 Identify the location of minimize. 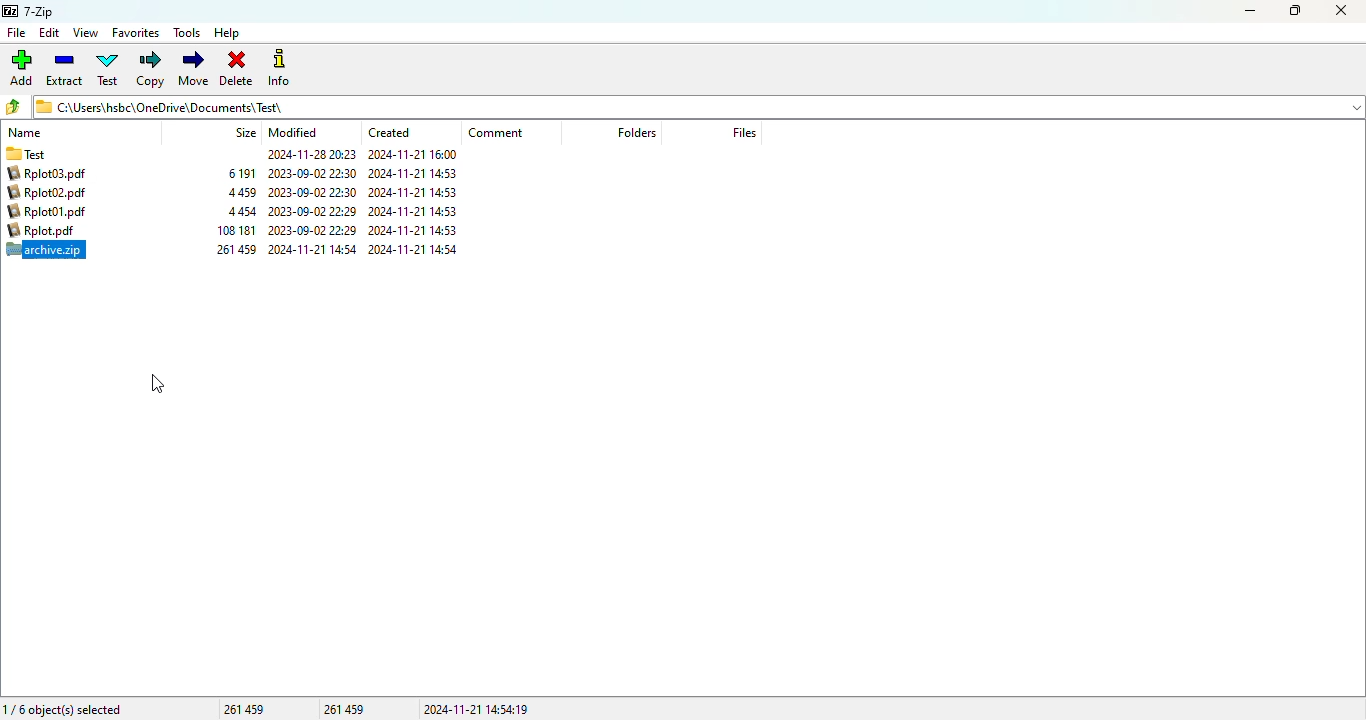
(1251, 11).